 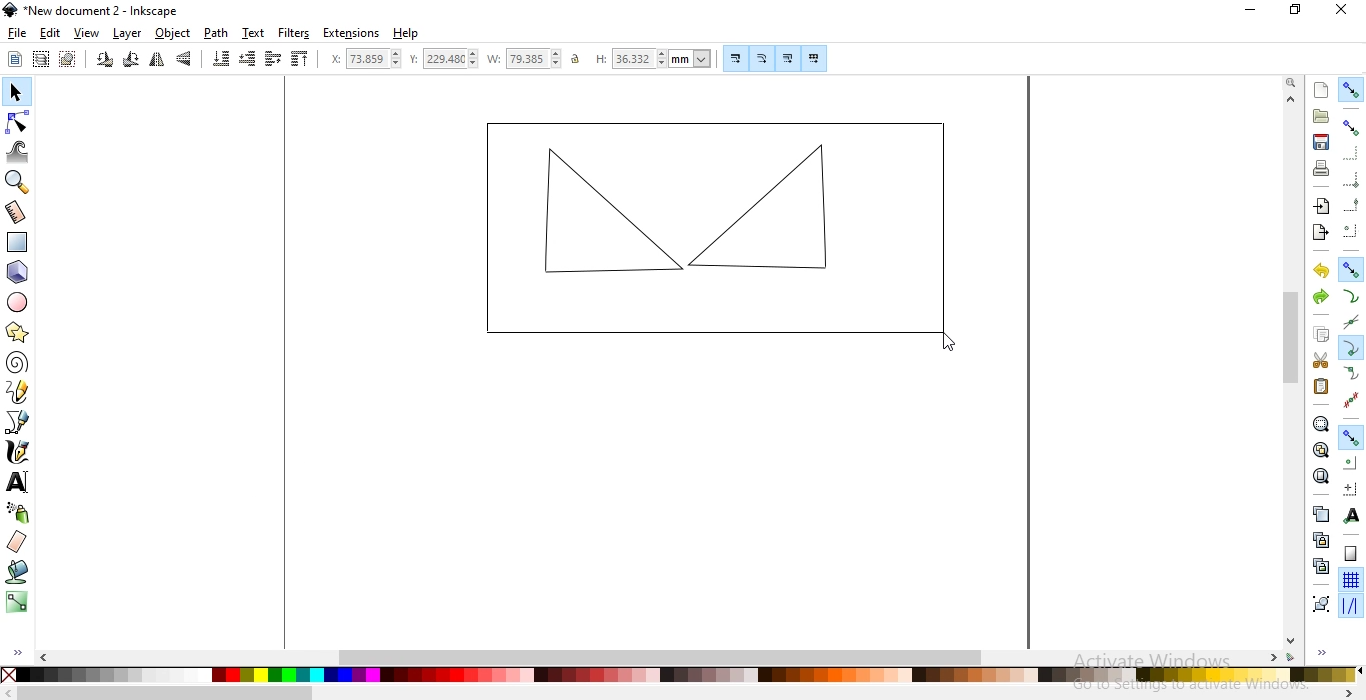 What do you see at coordinates (1321, 117) in the screenshot?
I see `open an existing document` at bounding box center [1321, 117].